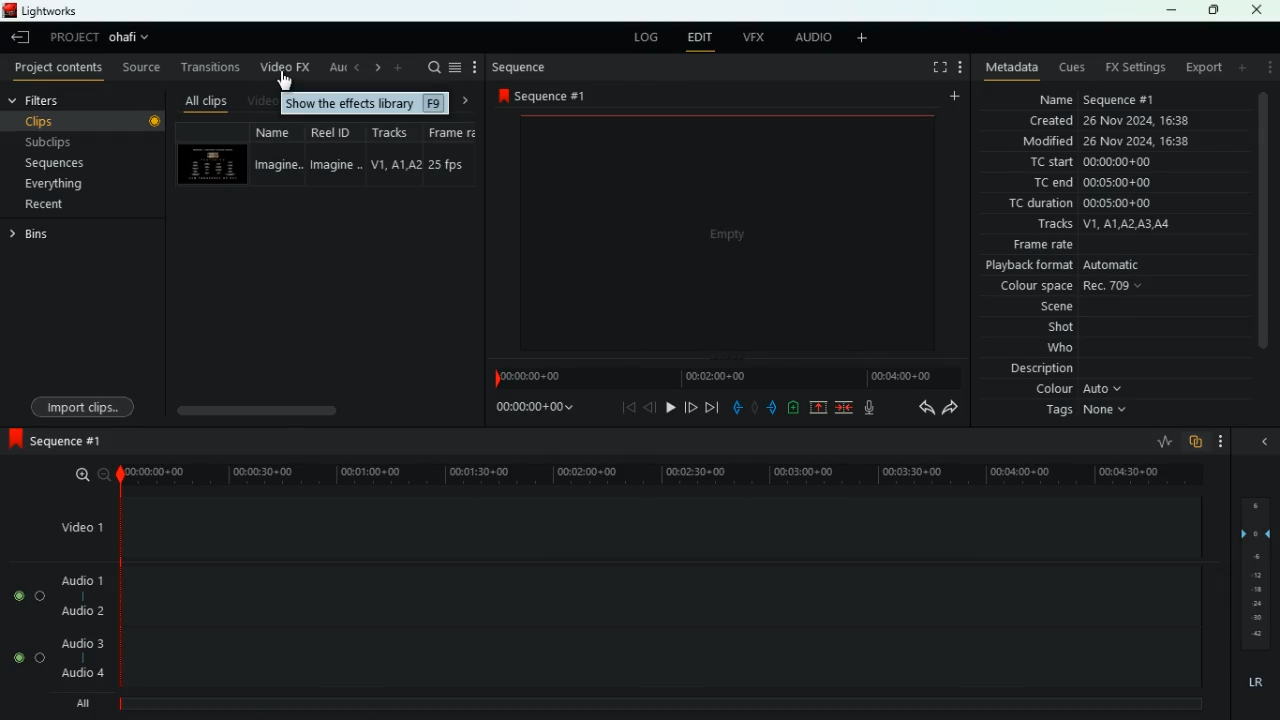 The image size is (1280, 720). What do you see at coordinates (750, 406) in the screenshot?
I see `middle` at bounding box center [750, 406].